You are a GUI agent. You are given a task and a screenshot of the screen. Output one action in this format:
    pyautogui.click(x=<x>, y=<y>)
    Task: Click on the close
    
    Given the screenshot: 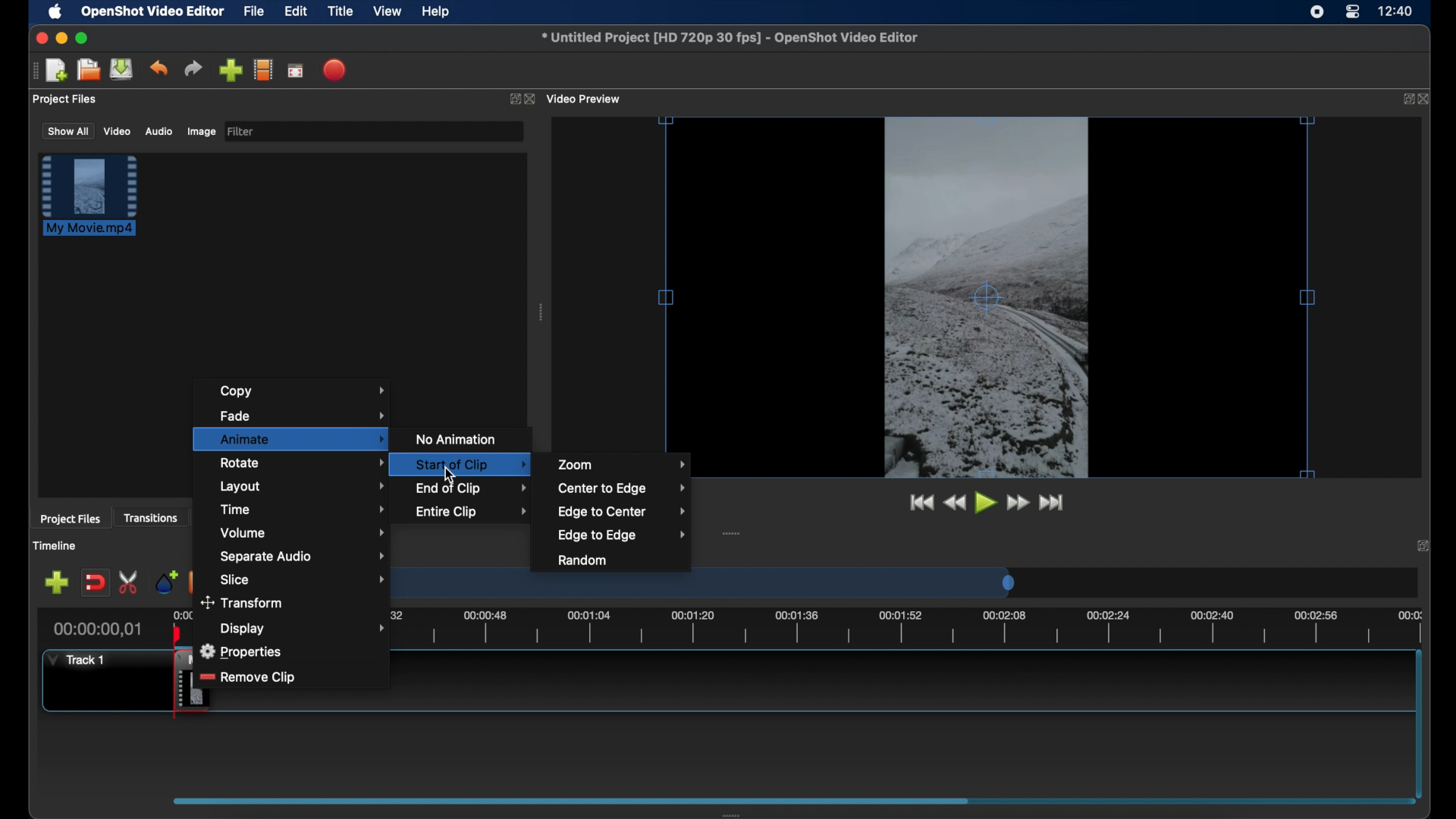 What is the action you would take?
    pyautogui.click(x=1426, y=100)
    